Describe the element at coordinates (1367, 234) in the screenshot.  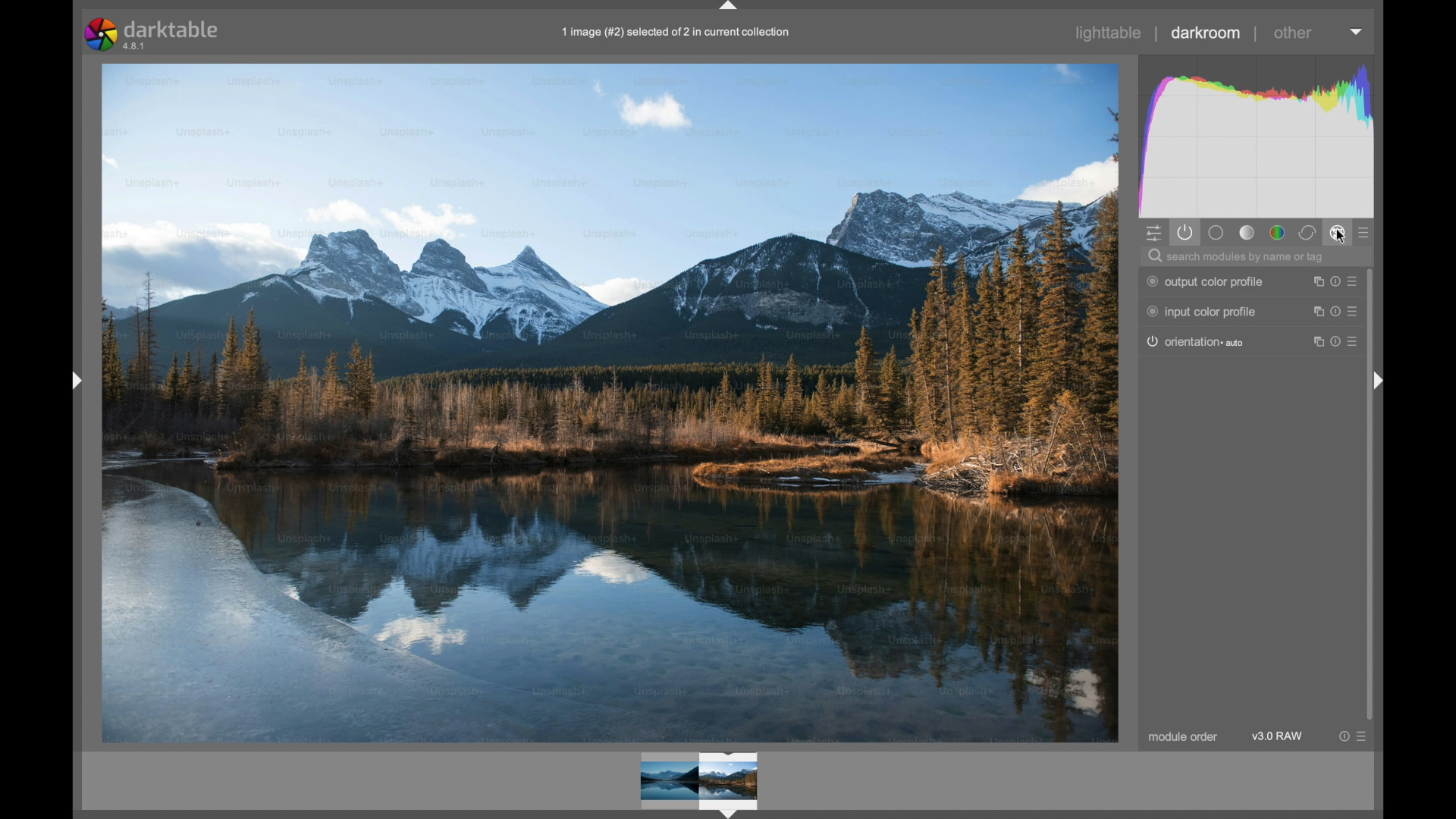
I see `presets` at that location.